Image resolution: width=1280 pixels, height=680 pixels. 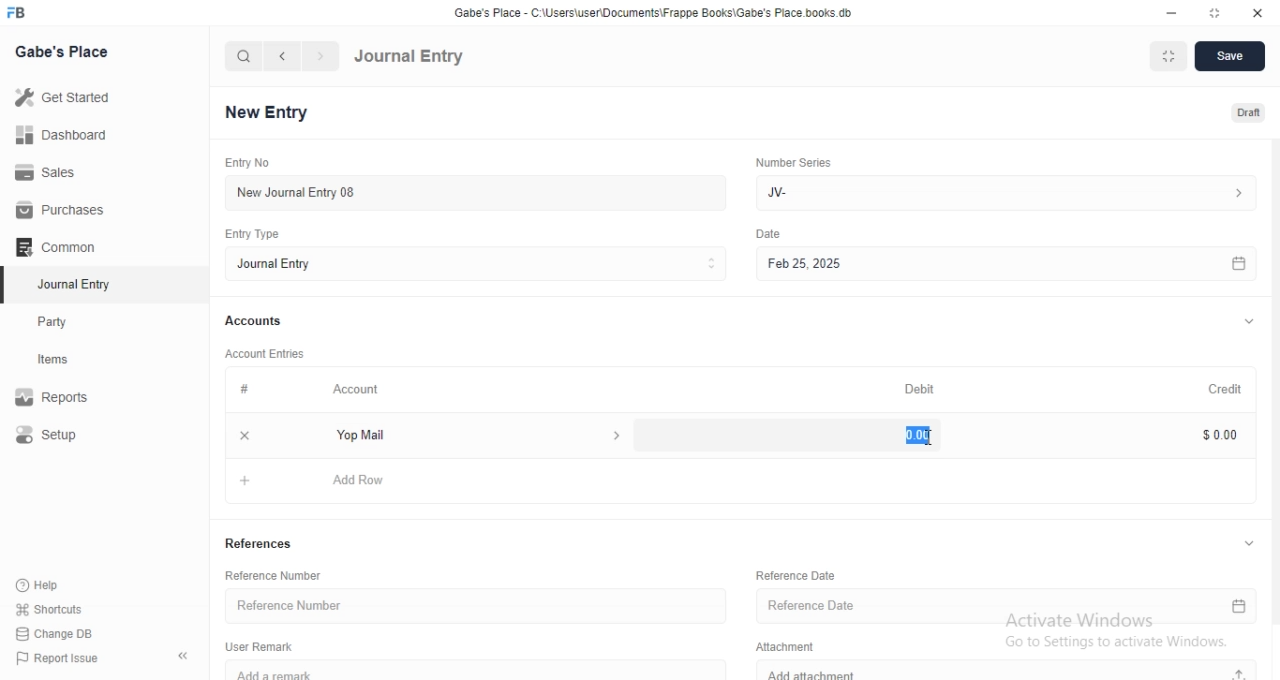 I want to click on Dashboard, so click(x=61, y=138).